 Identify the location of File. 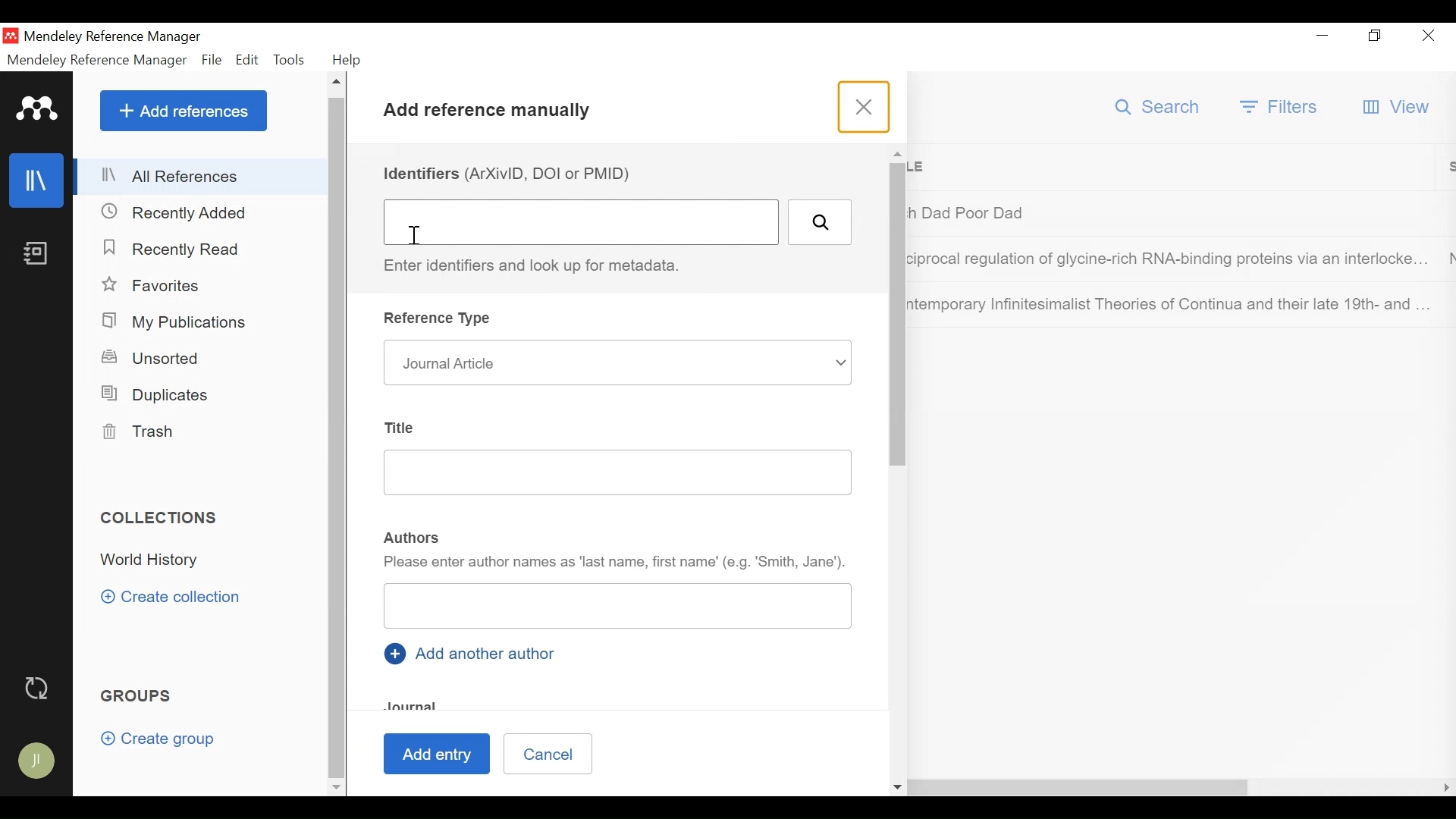
(212, 60).